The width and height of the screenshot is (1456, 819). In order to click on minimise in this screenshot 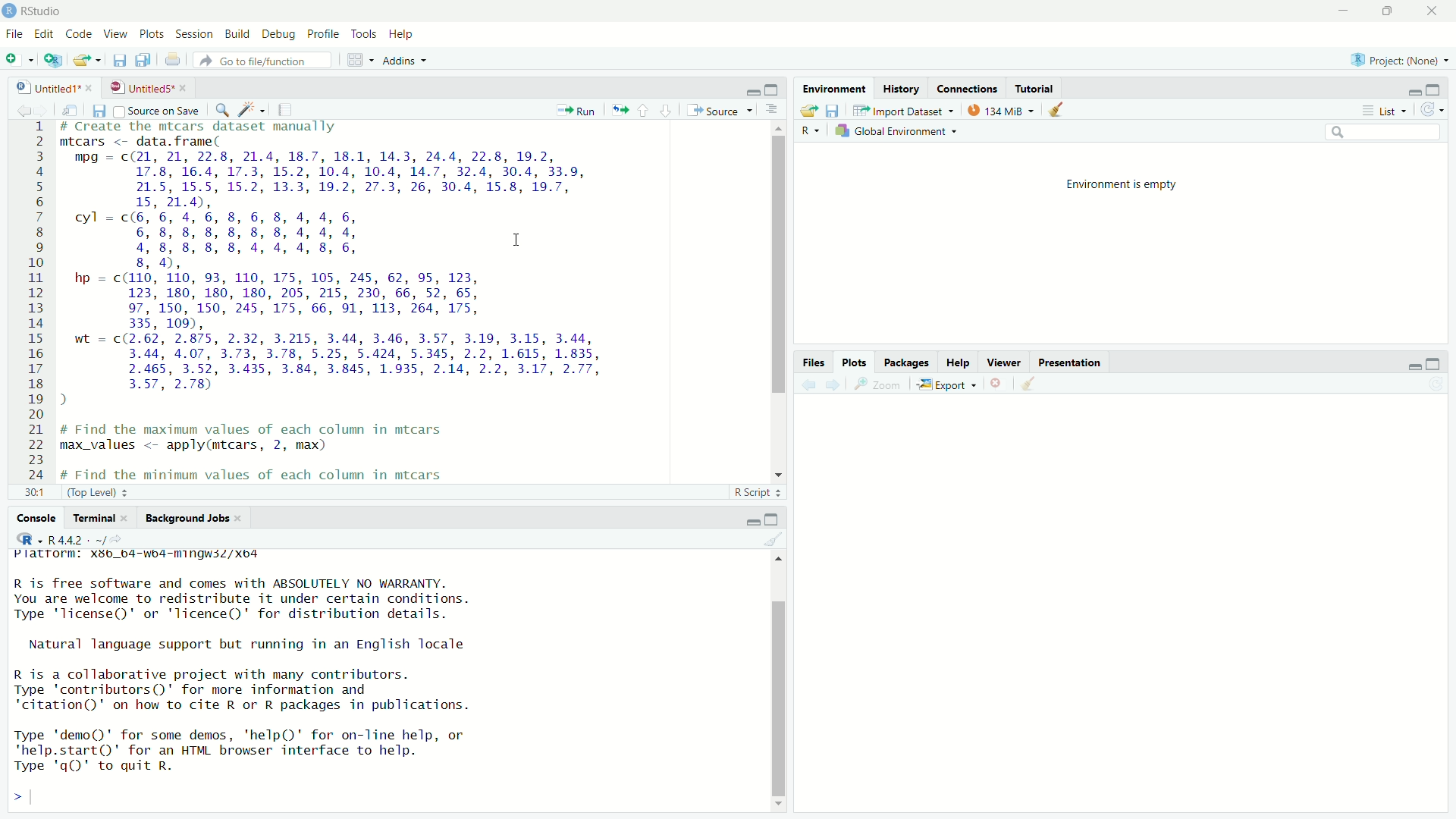, I will do `click(1341, 11)`.